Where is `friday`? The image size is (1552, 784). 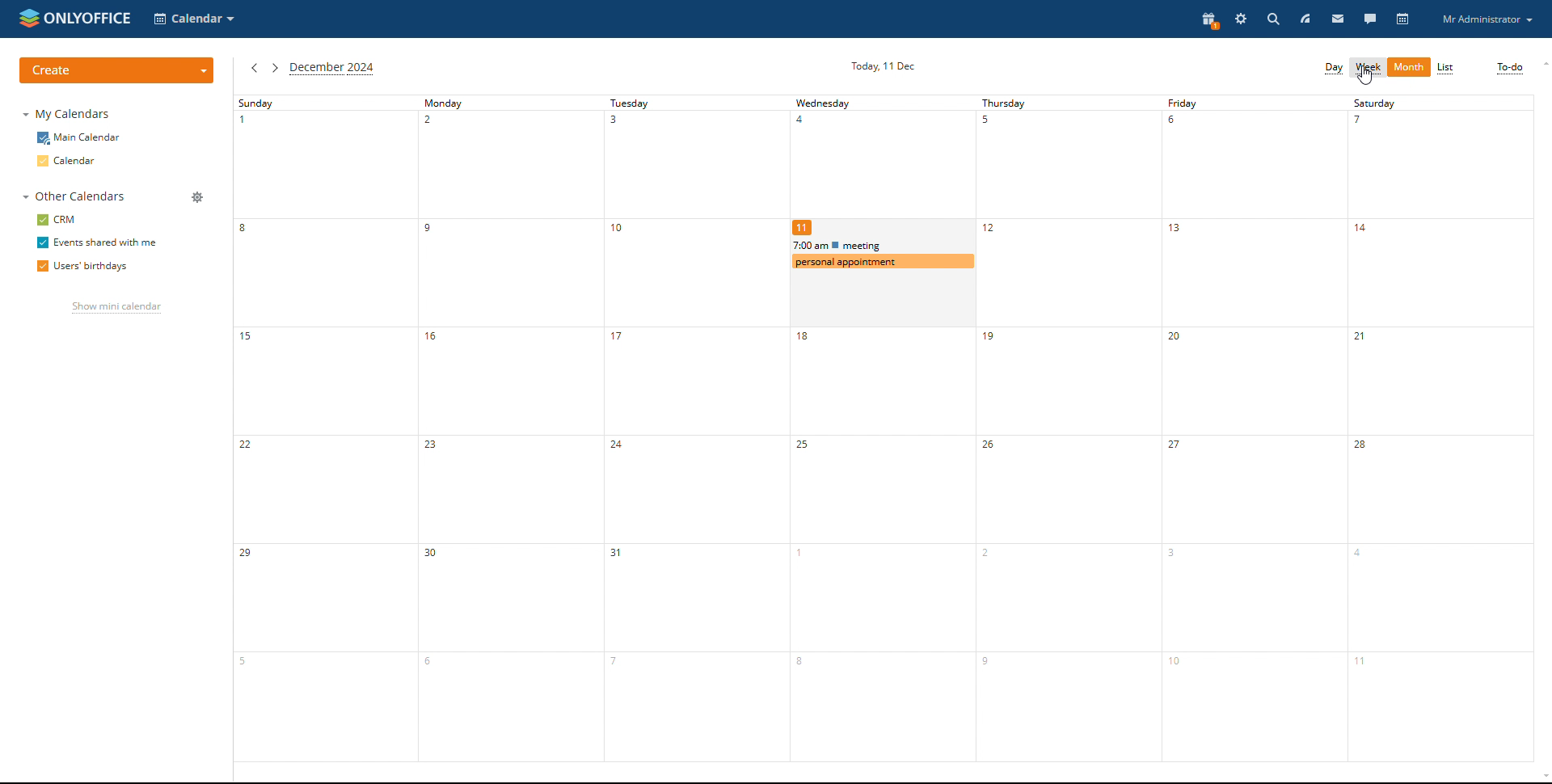 friday is located at coordinates (1255, 428).